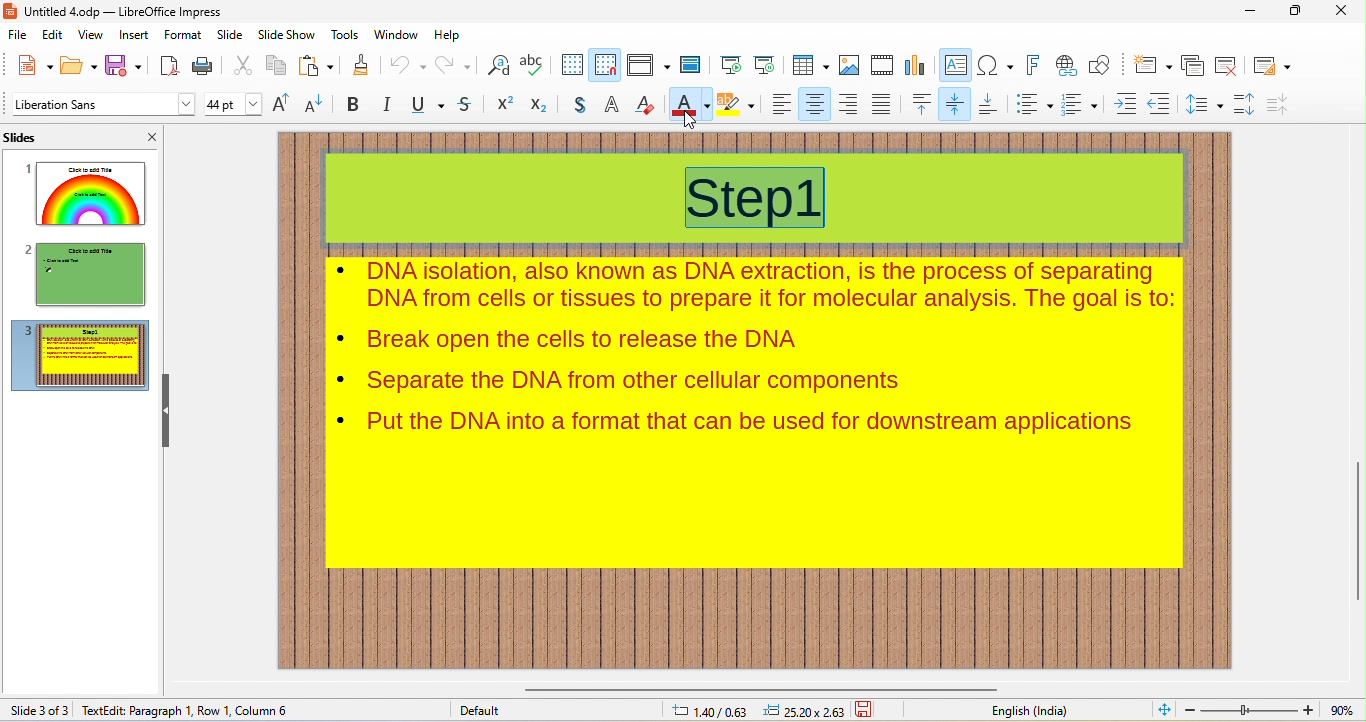 The height and width of the screenshot is (722, 1366). Describe the element at coordinates (38, 708) in the screenshot. I see `slide 3 of 3` at that location.